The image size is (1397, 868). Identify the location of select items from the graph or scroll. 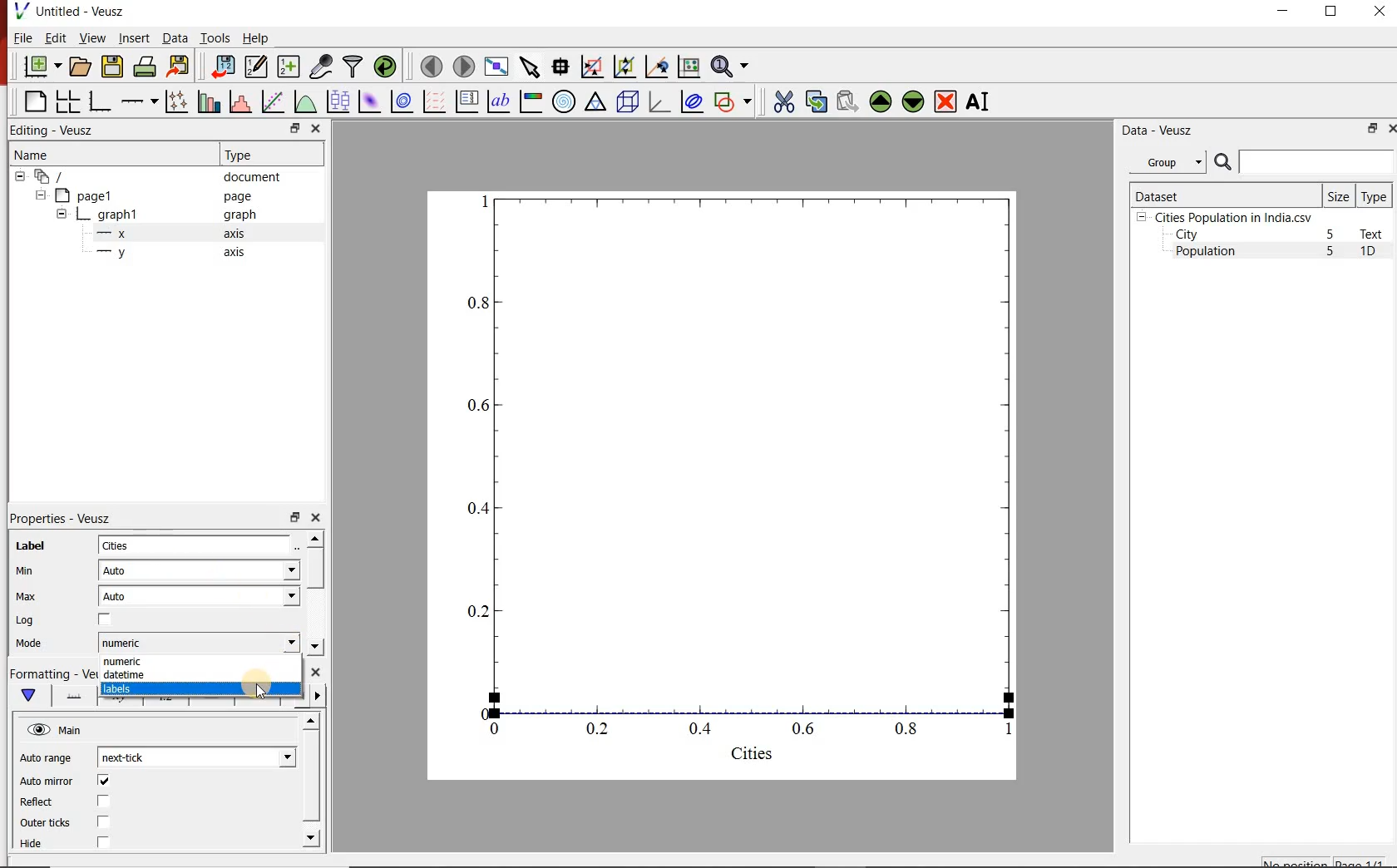
(529, 66).